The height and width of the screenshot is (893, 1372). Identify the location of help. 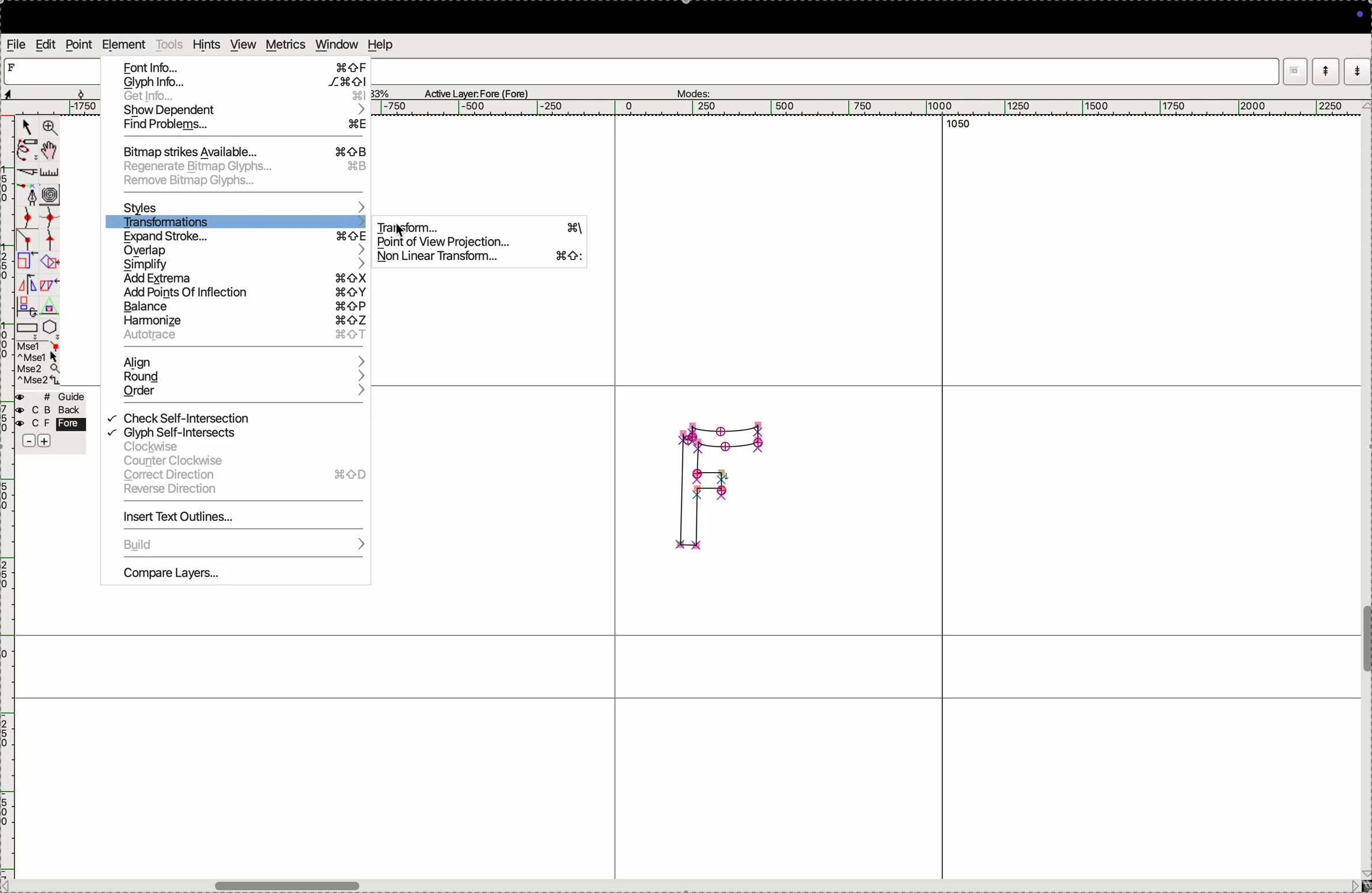
(379, 44).